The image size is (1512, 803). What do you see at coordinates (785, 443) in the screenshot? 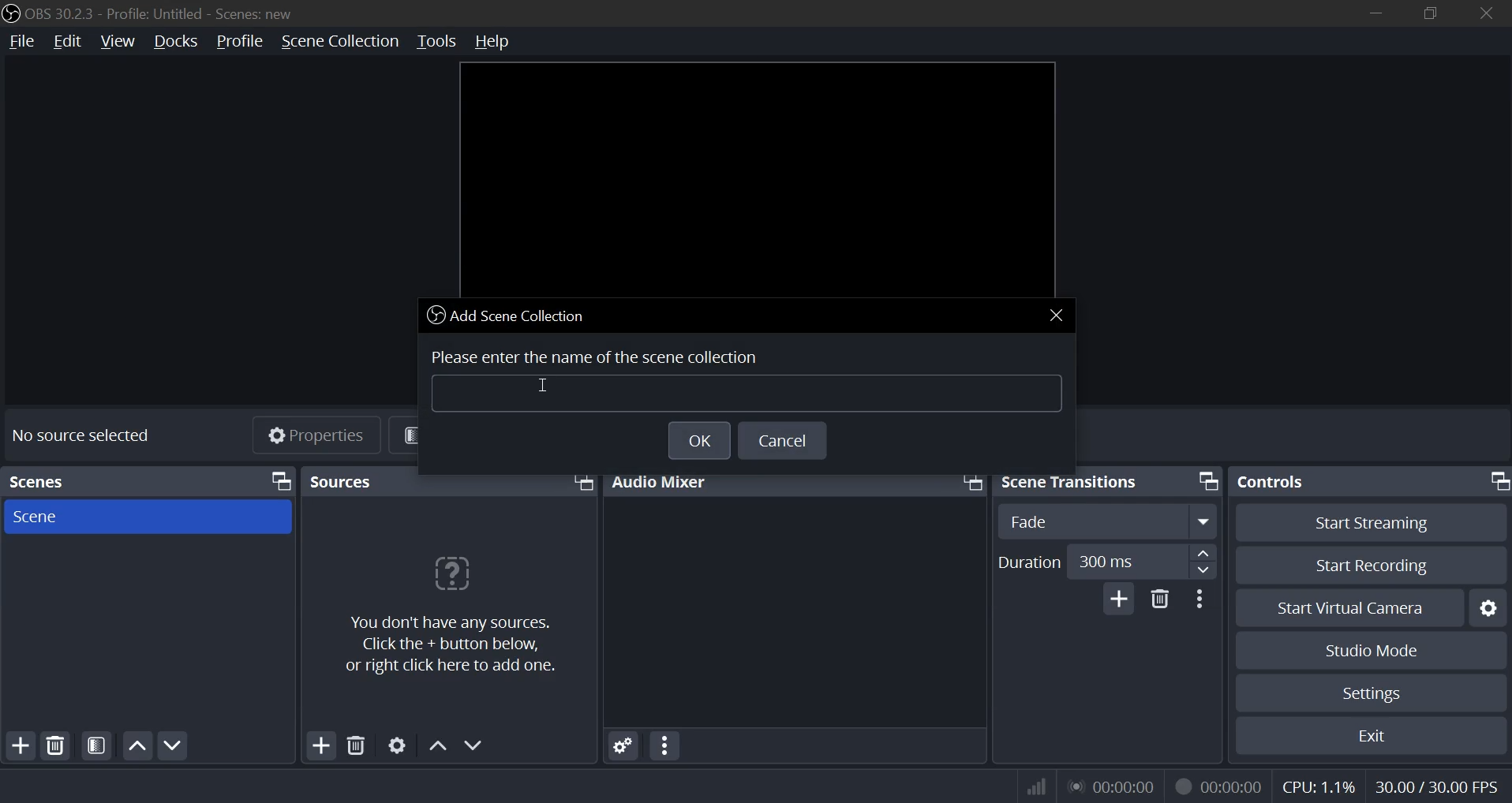
I see `cancel` at bounding box center [785, 443].